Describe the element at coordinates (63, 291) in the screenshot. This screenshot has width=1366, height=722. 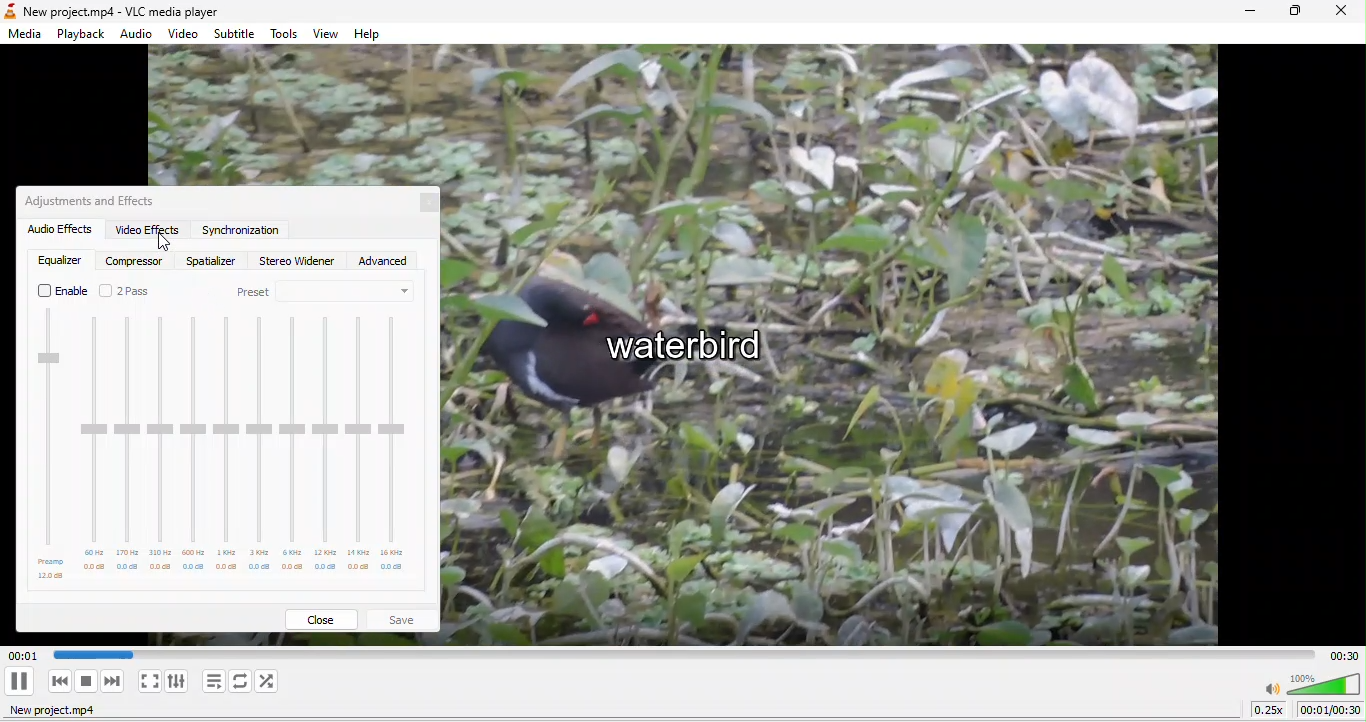
I see `Enable` at that location.